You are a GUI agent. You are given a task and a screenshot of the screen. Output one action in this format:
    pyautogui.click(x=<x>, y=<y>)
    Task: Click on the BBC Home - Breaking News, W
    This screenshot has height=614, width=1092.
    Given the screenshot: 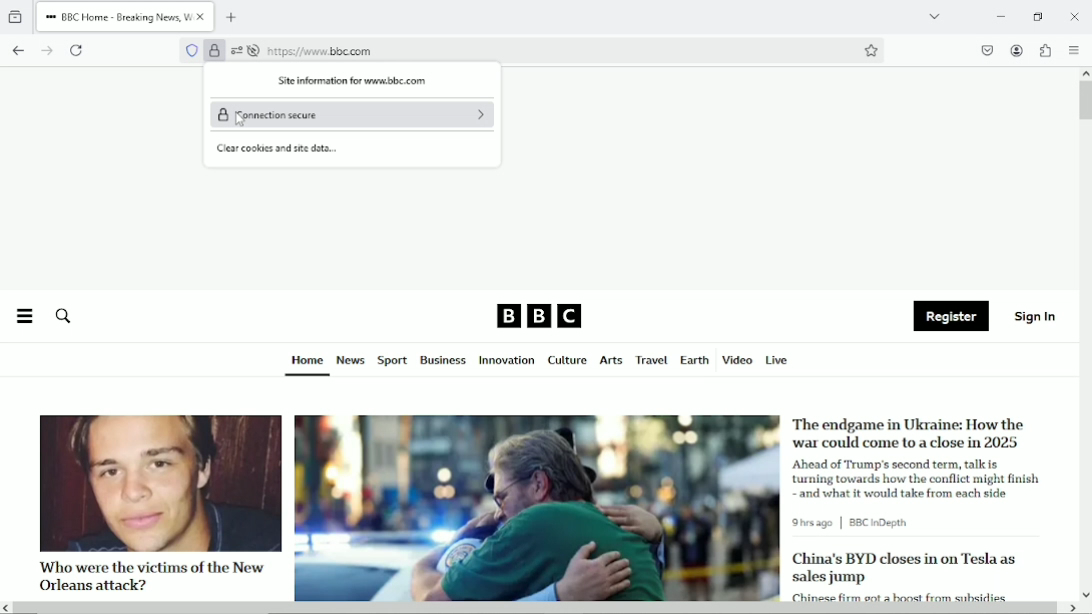 What is the action you would take?
    pyautogui.click(x=117, y=15)
    